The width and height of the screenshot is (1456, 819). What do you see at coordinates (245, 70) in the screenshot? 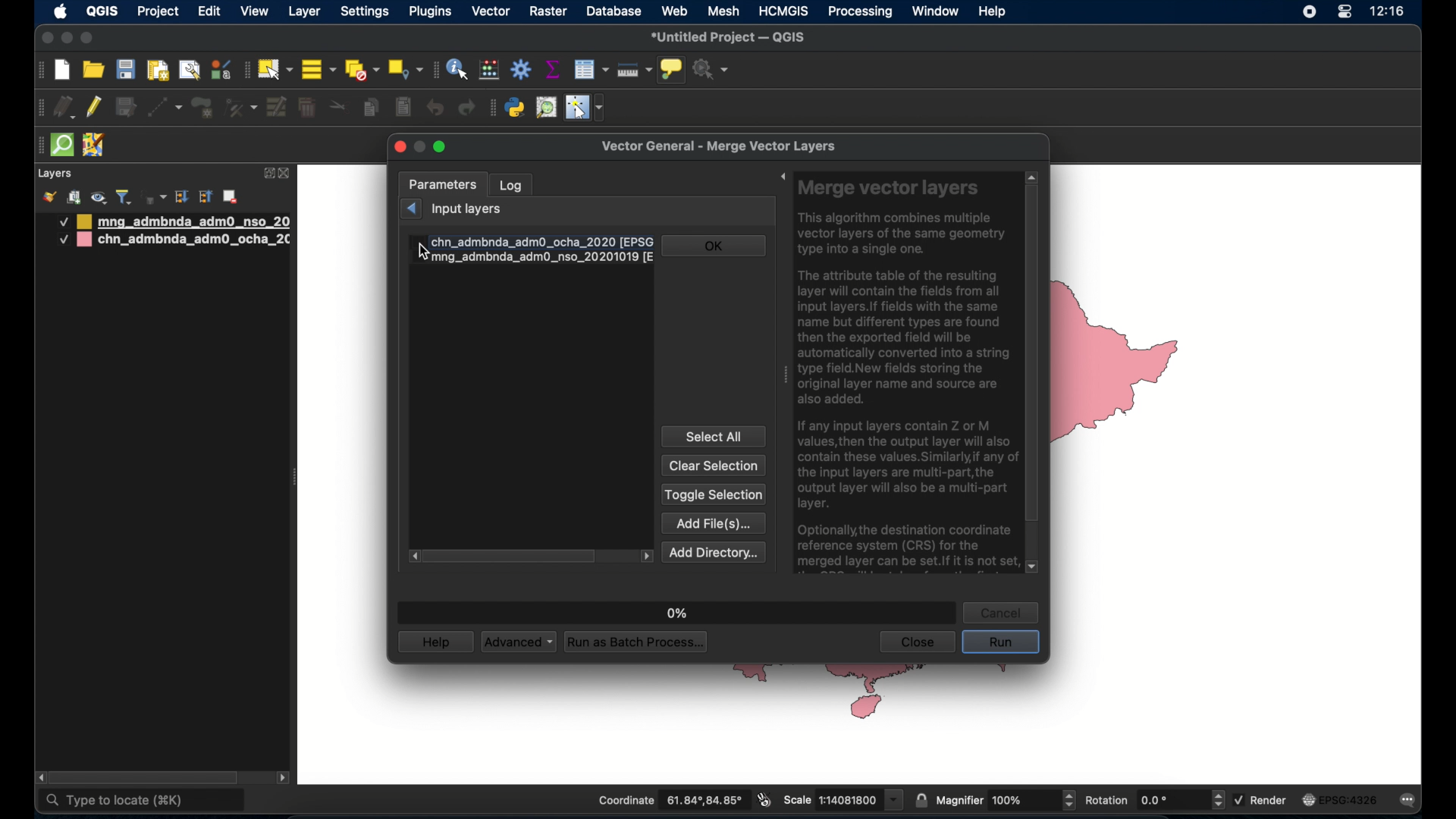
I see `selection toolbar` at bounding box center [245, 70].